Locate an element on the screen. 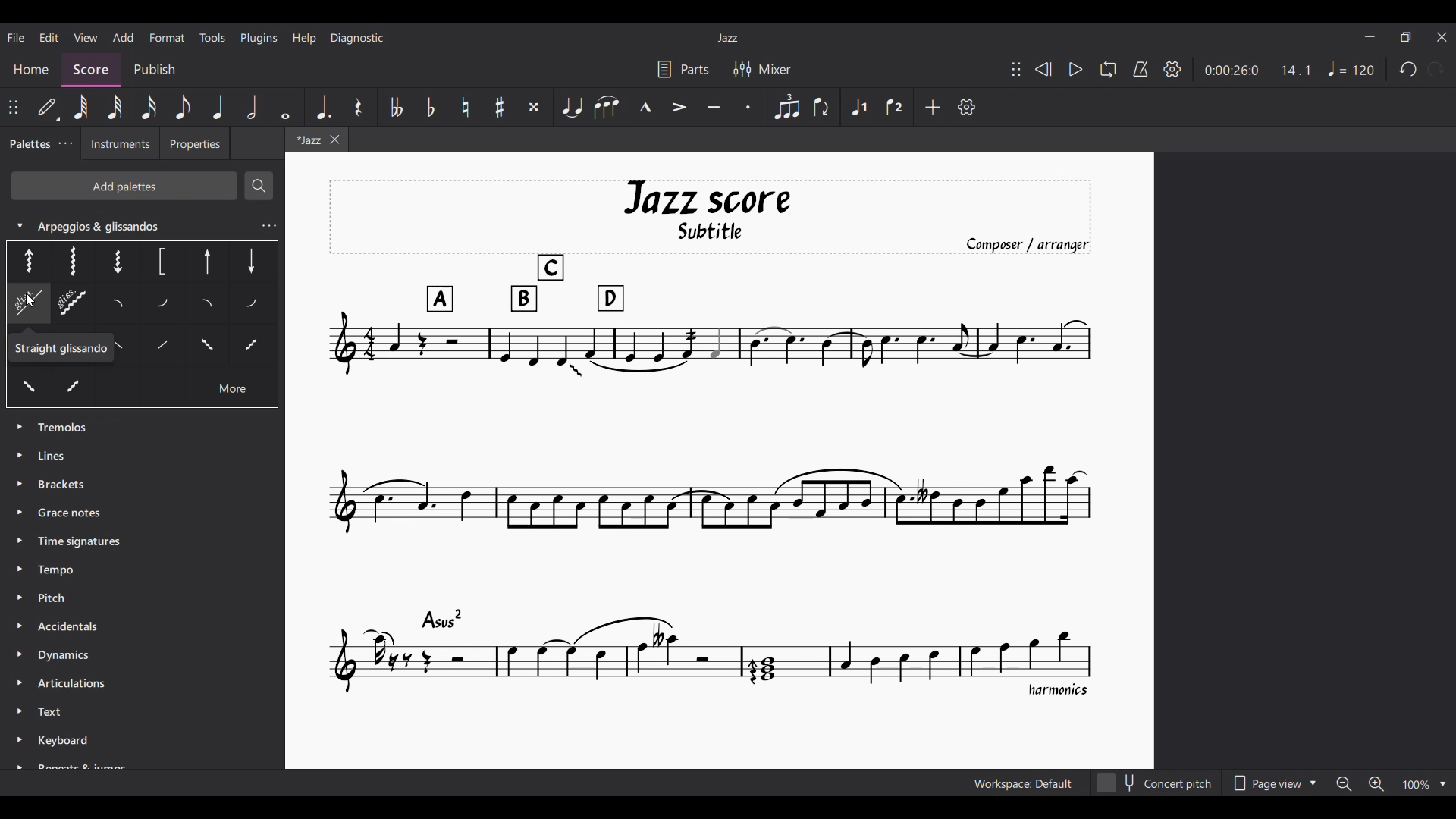 The image size is (1456, 819). Palette settings is located at coordinates (65, 143).